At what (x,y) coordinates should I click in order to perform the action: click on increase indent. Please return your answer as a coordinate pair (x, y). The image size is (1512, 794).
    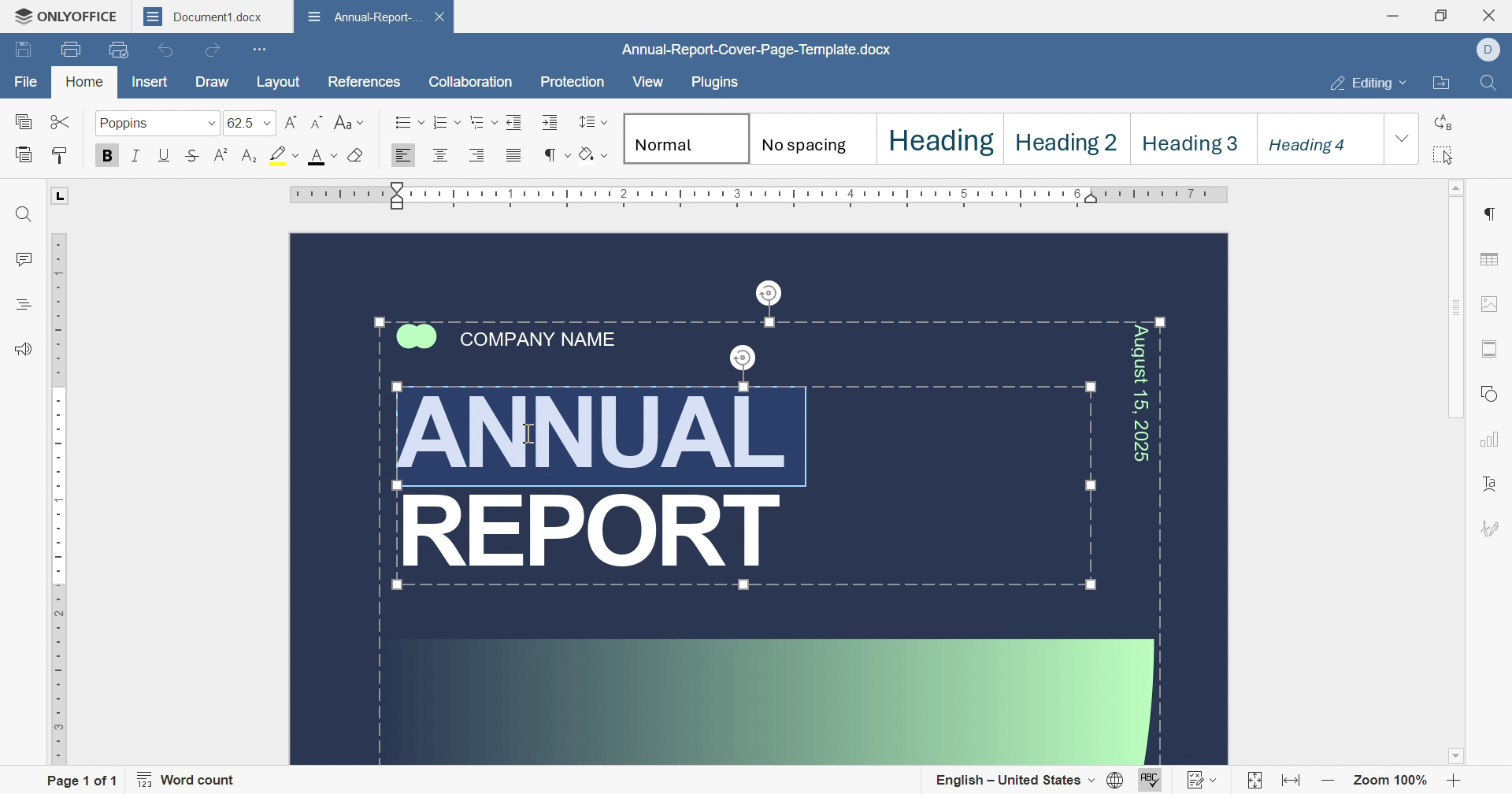
    Looking at the image, I should click on (550, 121).